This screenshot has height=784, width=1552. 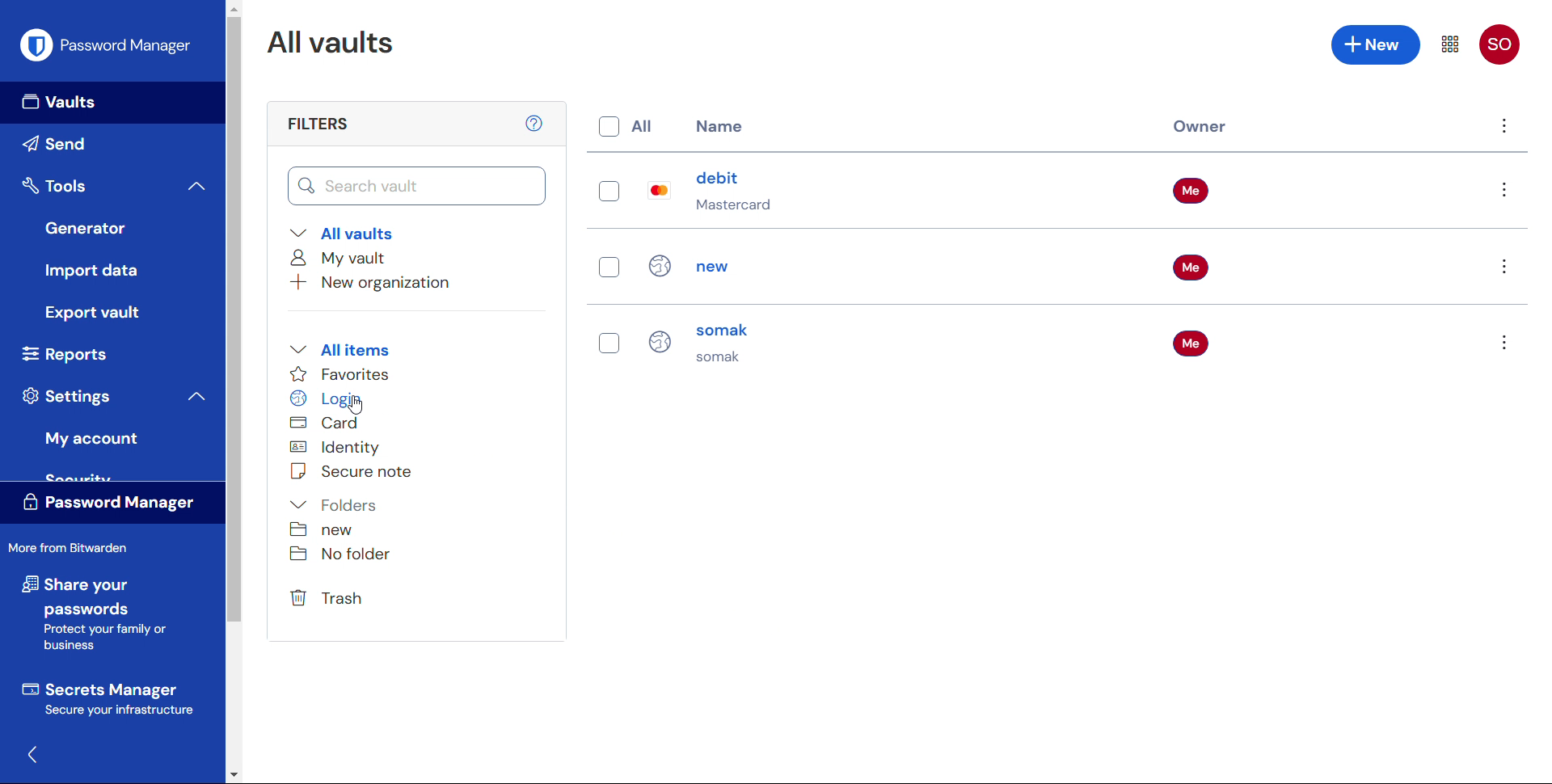 I want to click on debit Mastercard, so click(x=734, y=193).